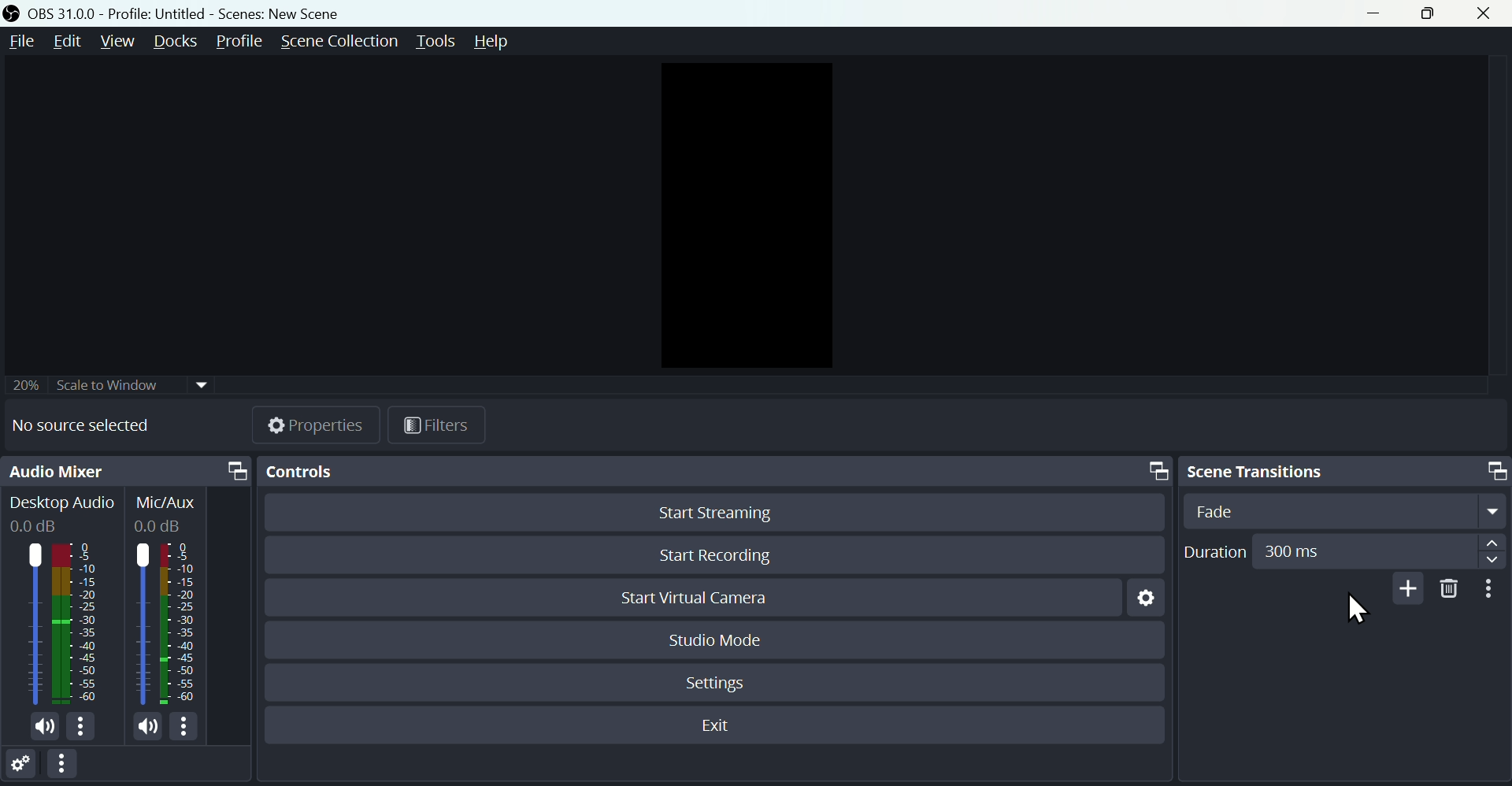 Image resolution: width=1512 pixels, height=786 pixels. I want to click on Mic/Aux, so click(140, 626).